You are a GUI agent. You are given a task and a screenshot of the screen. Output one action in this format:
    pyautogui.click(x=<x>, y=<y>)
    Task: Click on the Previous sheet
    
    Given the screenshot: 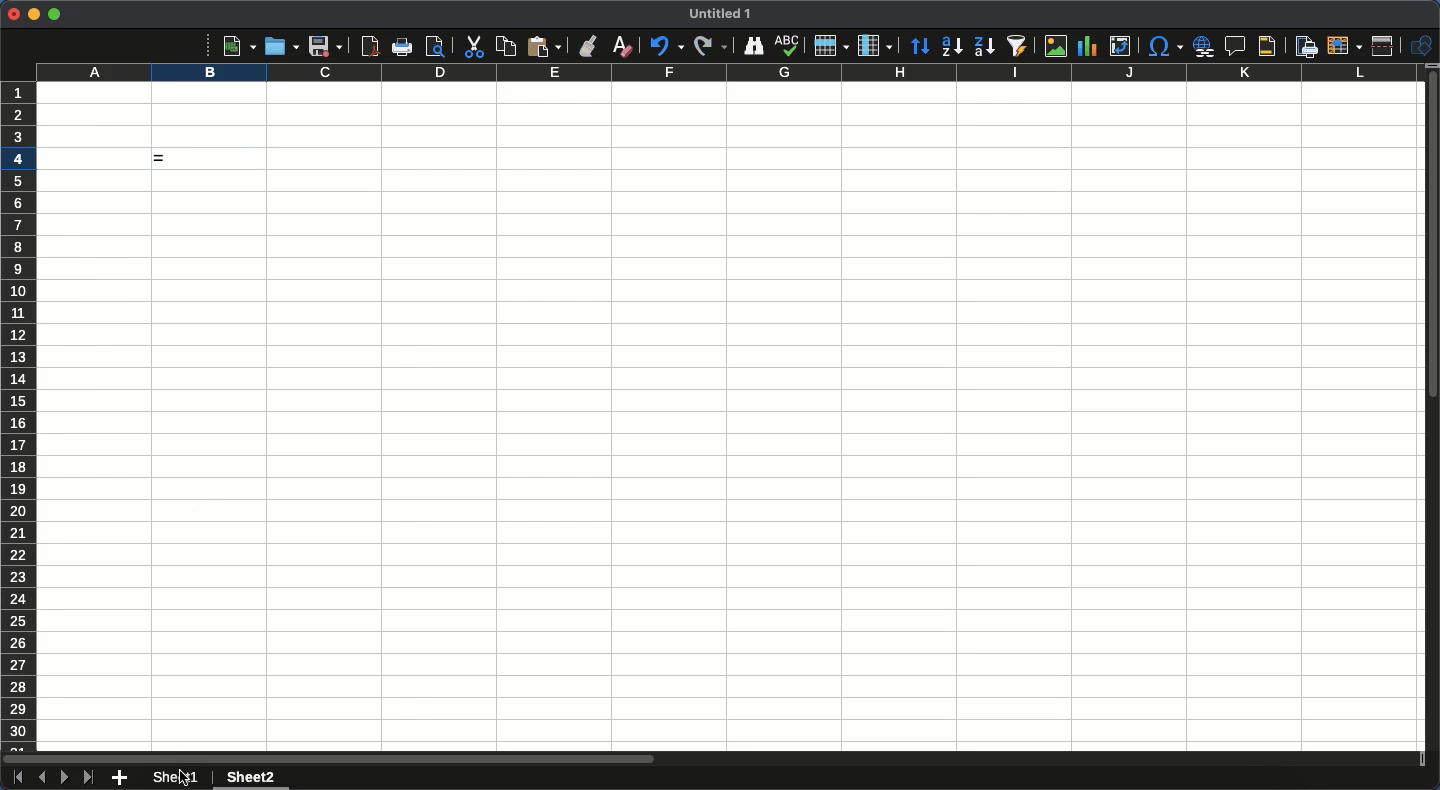 What is the action you would take?
    pyautogui.click(x=41, y=777)
    